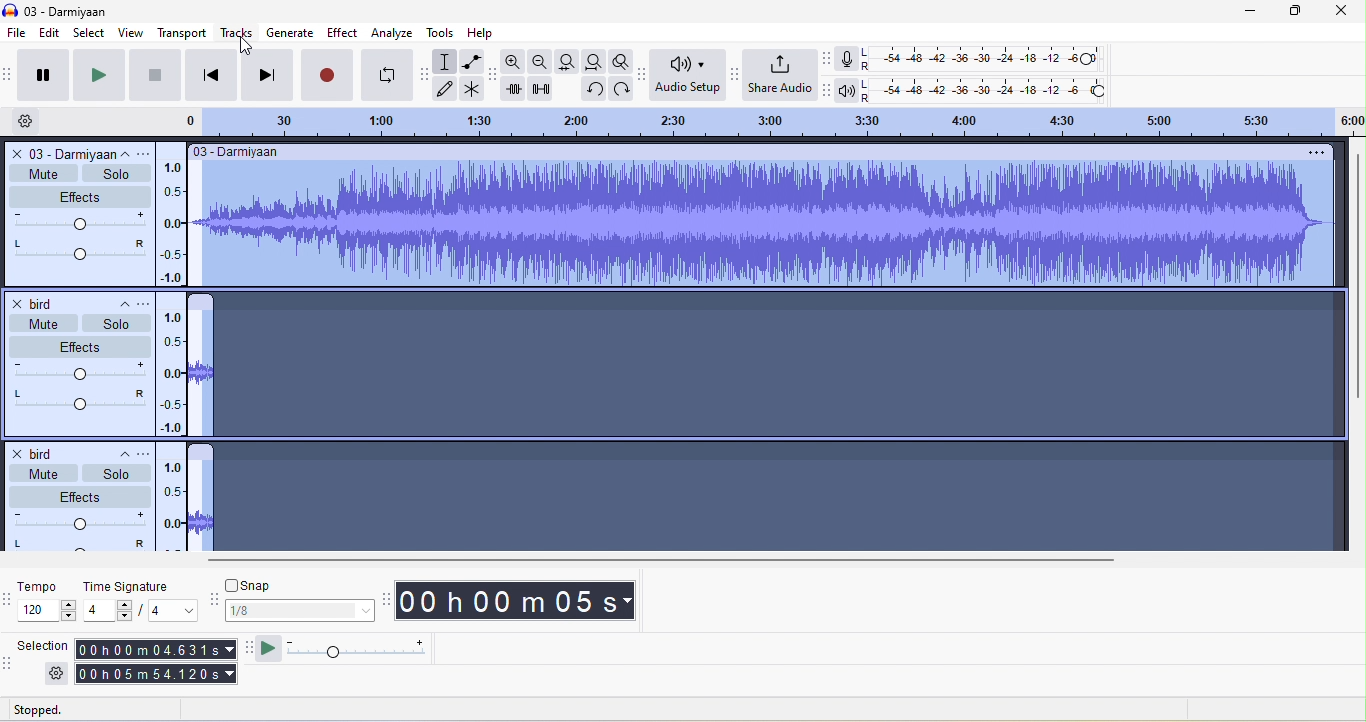 The height and width of the screenshot is (722, 1366). I want to click on linear, so click(170, 216).